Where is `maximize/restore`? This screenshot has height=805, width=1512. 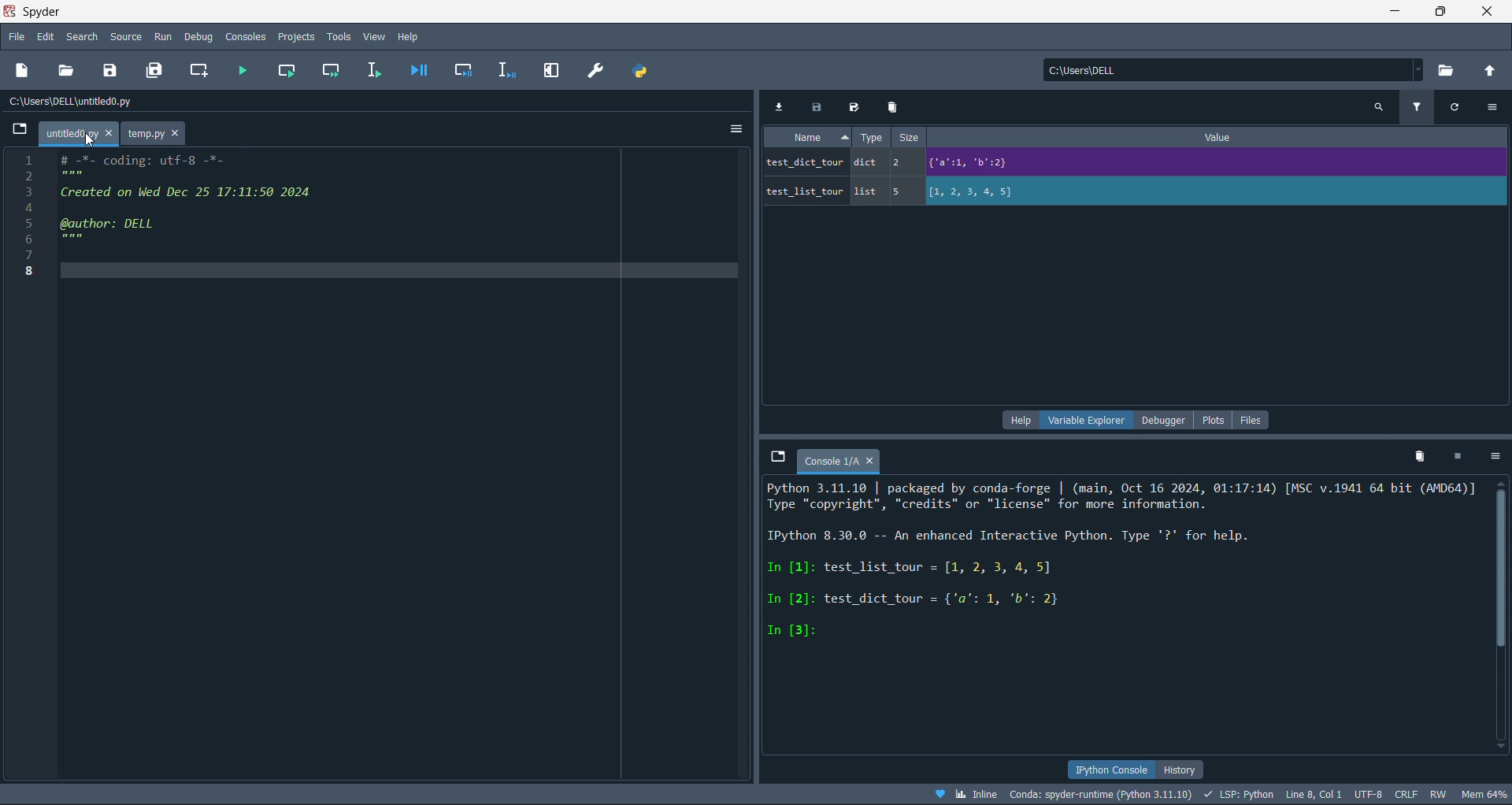
maximize/restore is located at coordinates (1443, 13).